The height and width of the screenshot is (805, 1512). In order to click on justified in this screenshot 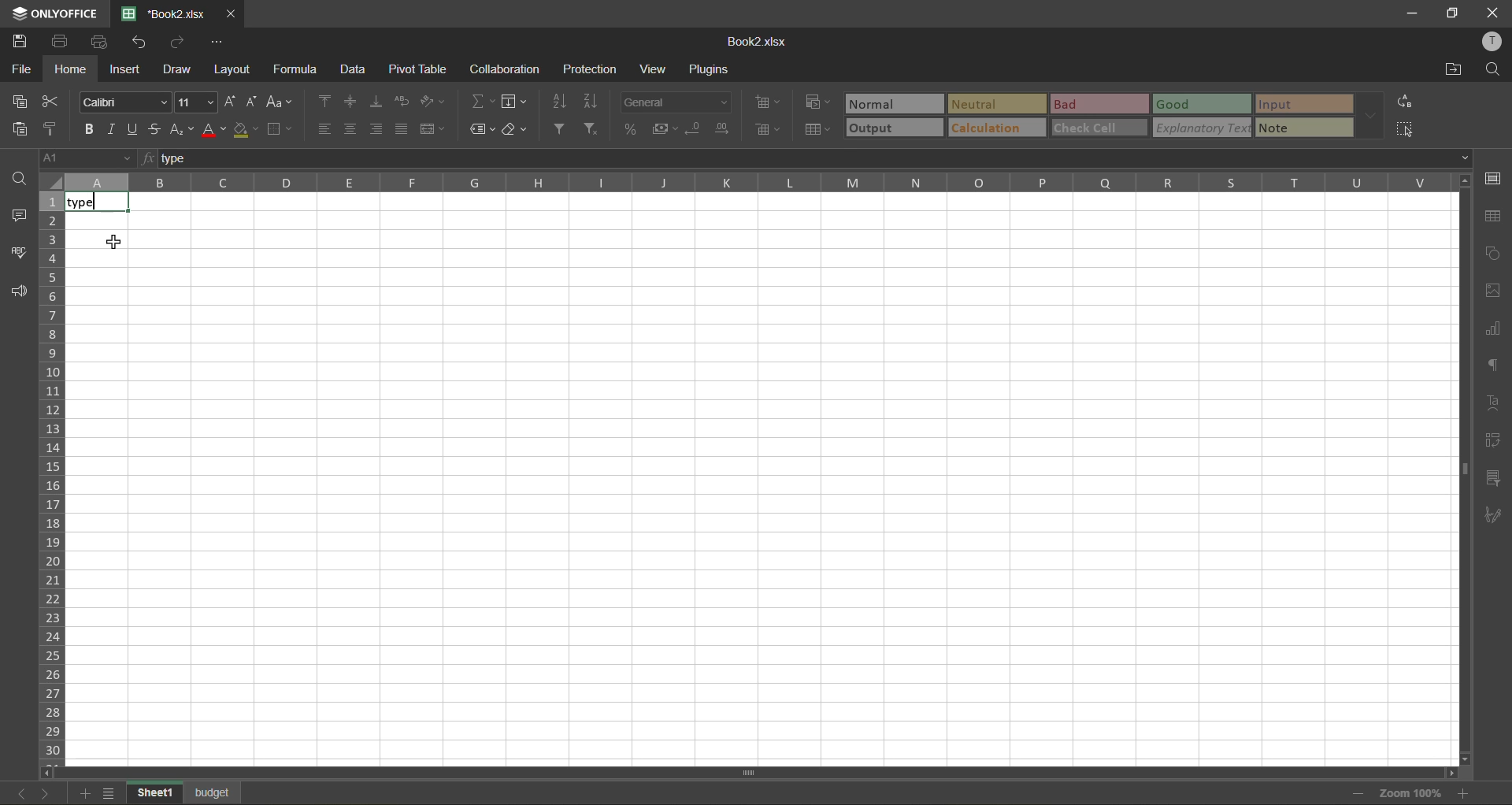, I will do `click(402, 127)`.